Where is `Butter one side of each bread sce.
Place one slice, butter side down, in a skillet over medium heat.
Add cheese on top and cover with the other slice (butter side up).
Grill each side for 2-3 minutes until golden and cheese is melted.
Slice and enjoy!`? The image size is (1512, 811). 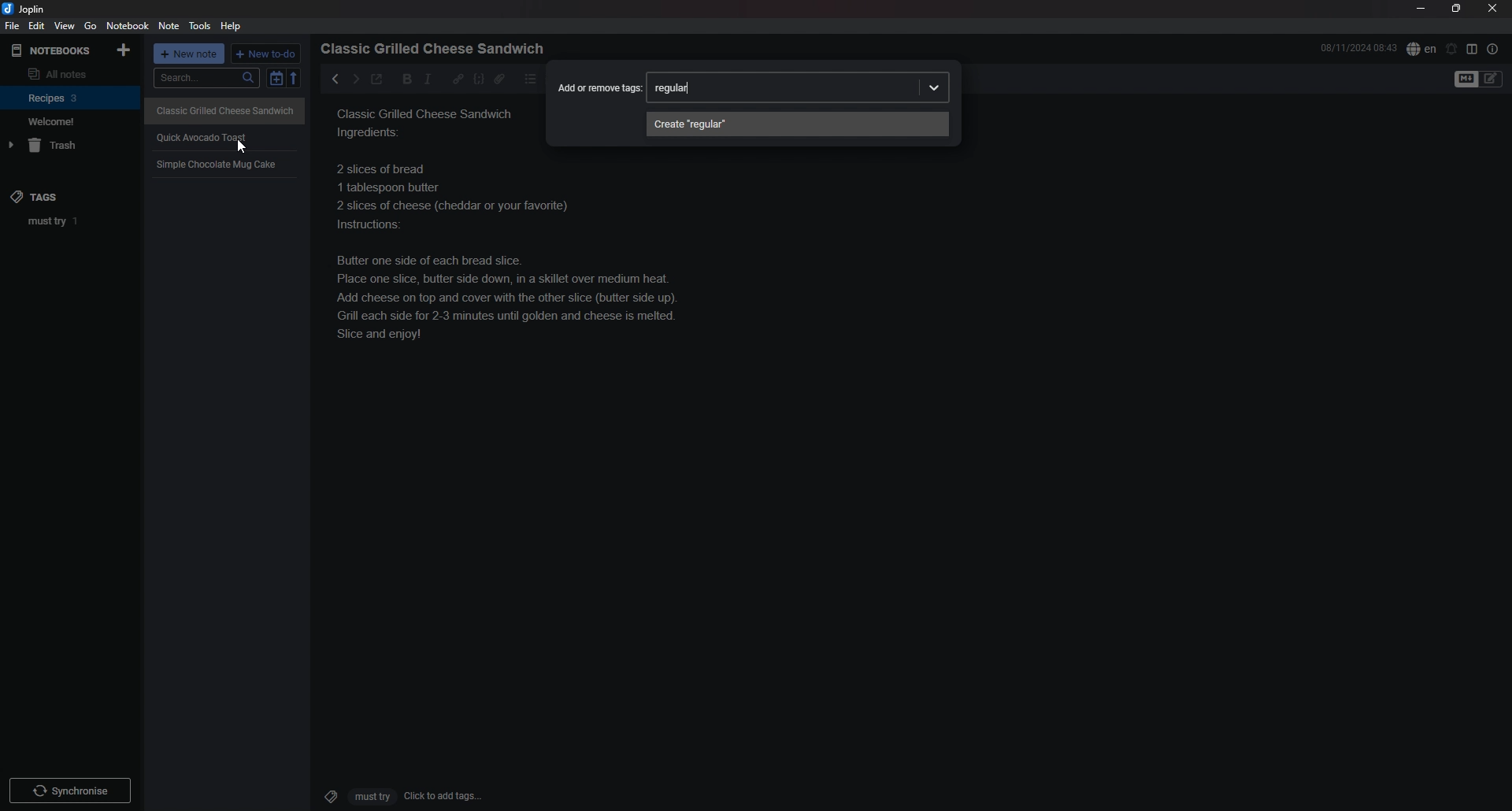 Butter one side of each bread sce.
Place one slice, butter side down, in a skillet over medium heat.
Add cheese on top and cover with the other slice (butter side up).
Grill each side for 2-3 minutes until golden and cheese is melted.
Slice and enjoy! is located at coordinates (513, 250).